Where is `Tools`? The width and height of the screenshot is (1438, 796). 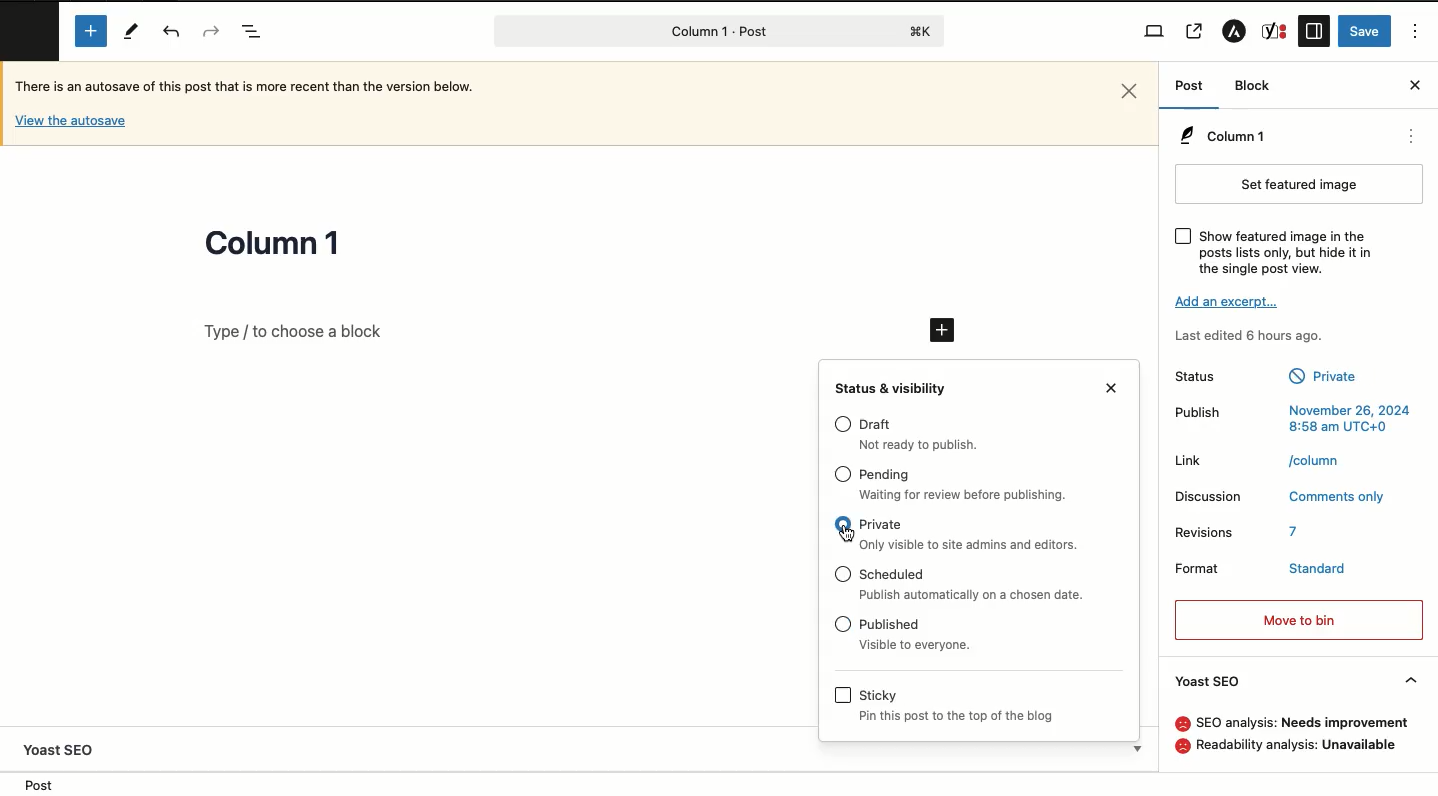 Tools is located at coordinates (134, 34).